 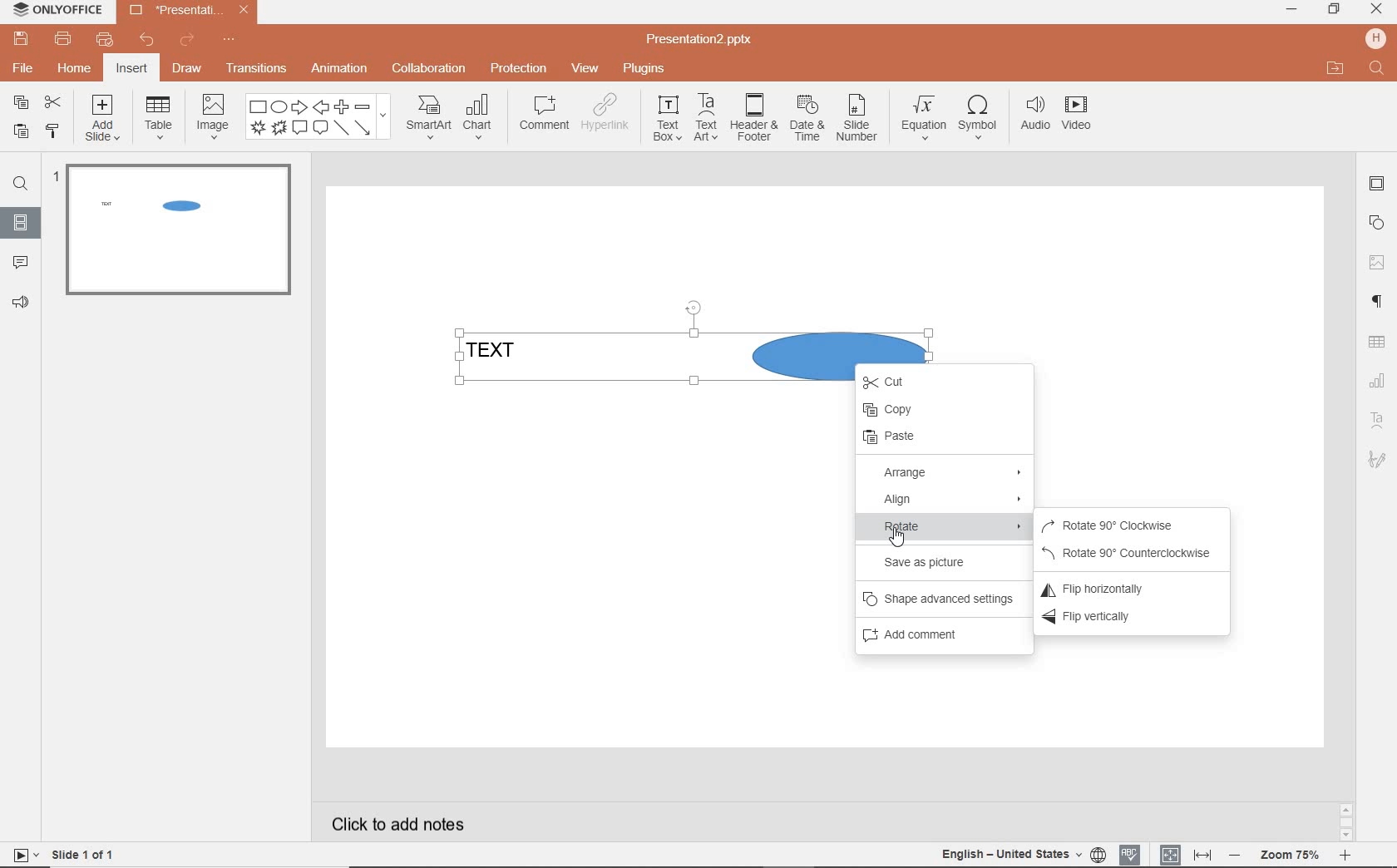 I want to click on OPEN FILE LOCATION, so click(x=1333, y=66).